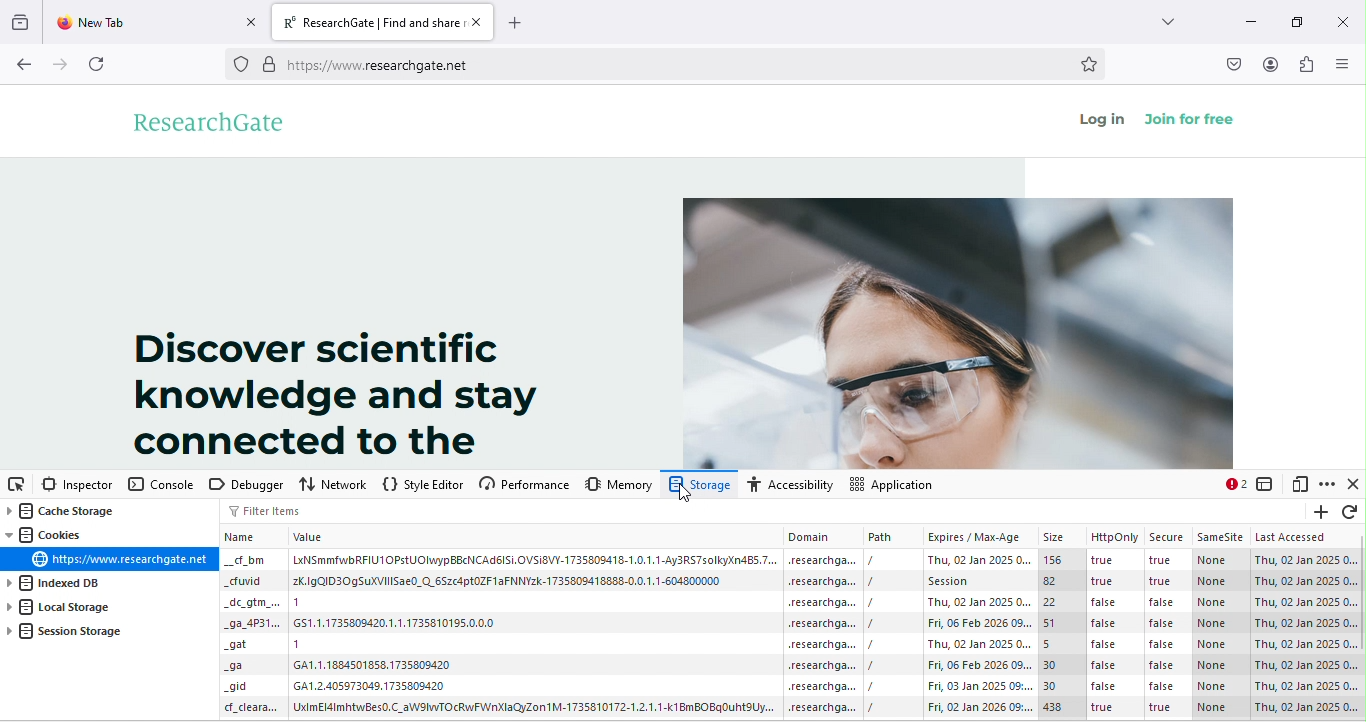 The width and height of the screenshot is (1366, 722). Describe the element at coordinates (1295, 19) in the screenshot. I see `maximize` at that location.